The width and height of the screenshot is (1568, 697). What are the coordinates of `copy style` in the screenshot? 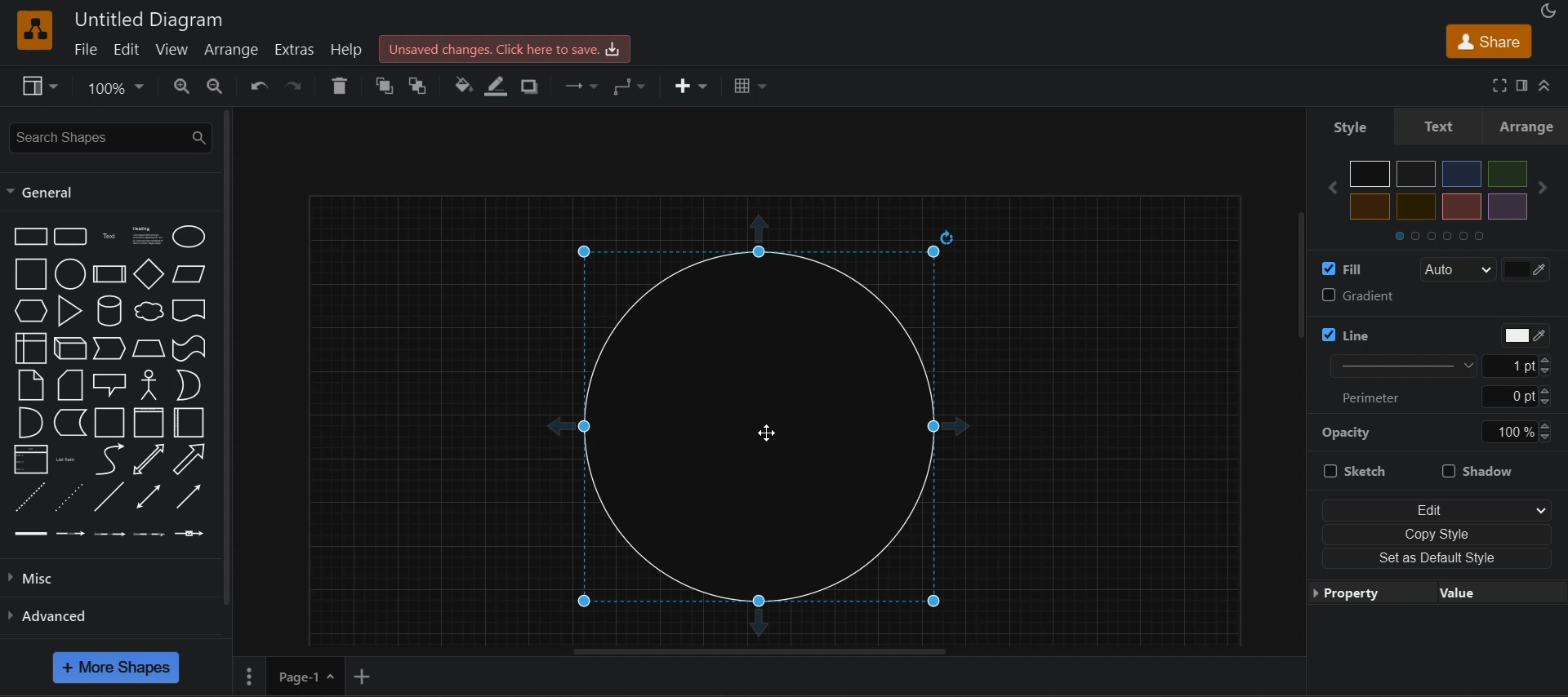 It's located at (1435, 534).